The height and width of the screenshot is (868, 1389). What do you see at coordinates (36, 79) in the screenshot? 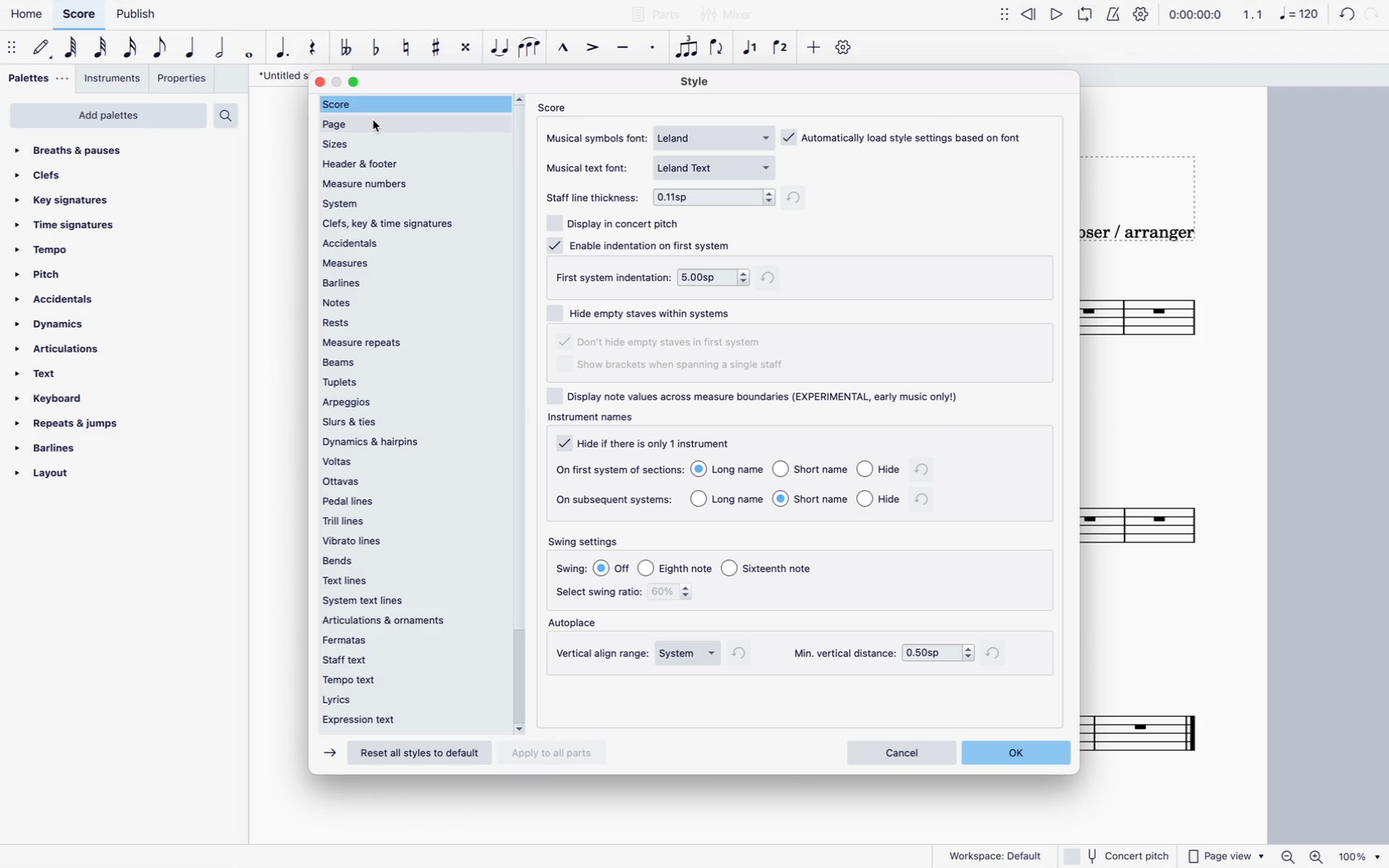
I see `palettes` at bounding box center [36, 79].